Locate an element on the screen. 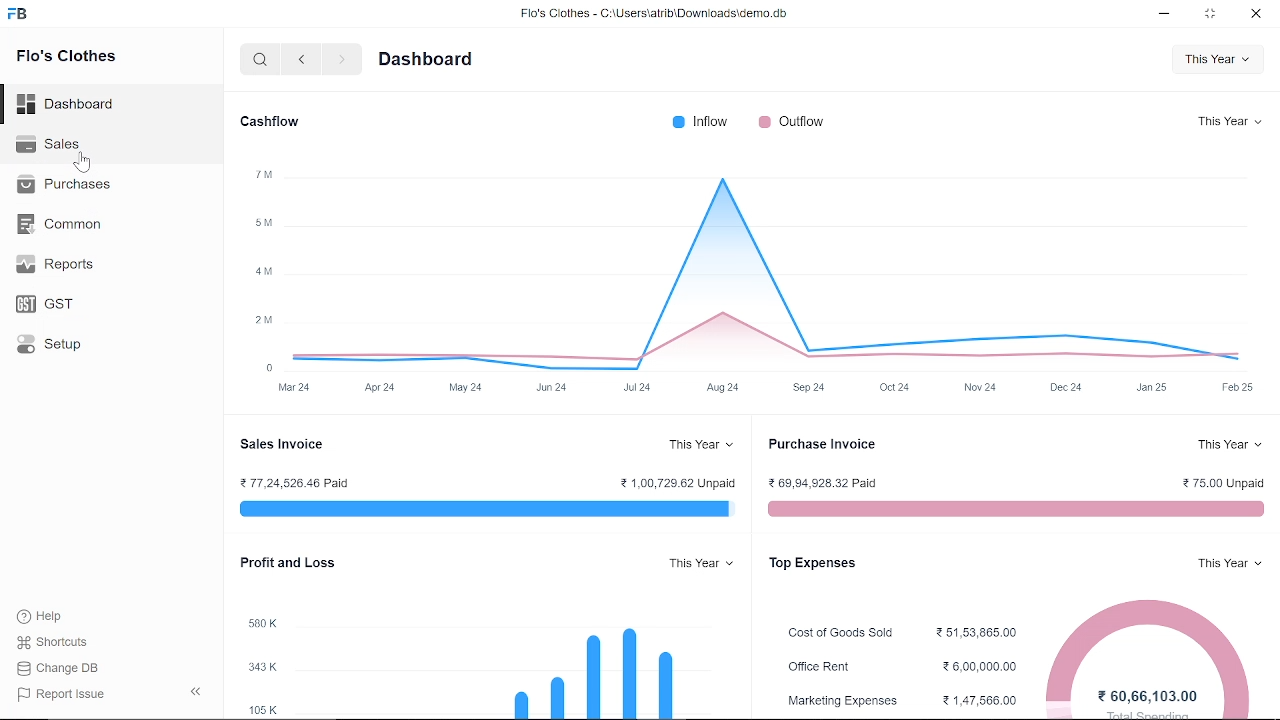 The image size is (1280, 720). 343K is located at coordinates (265, 666).